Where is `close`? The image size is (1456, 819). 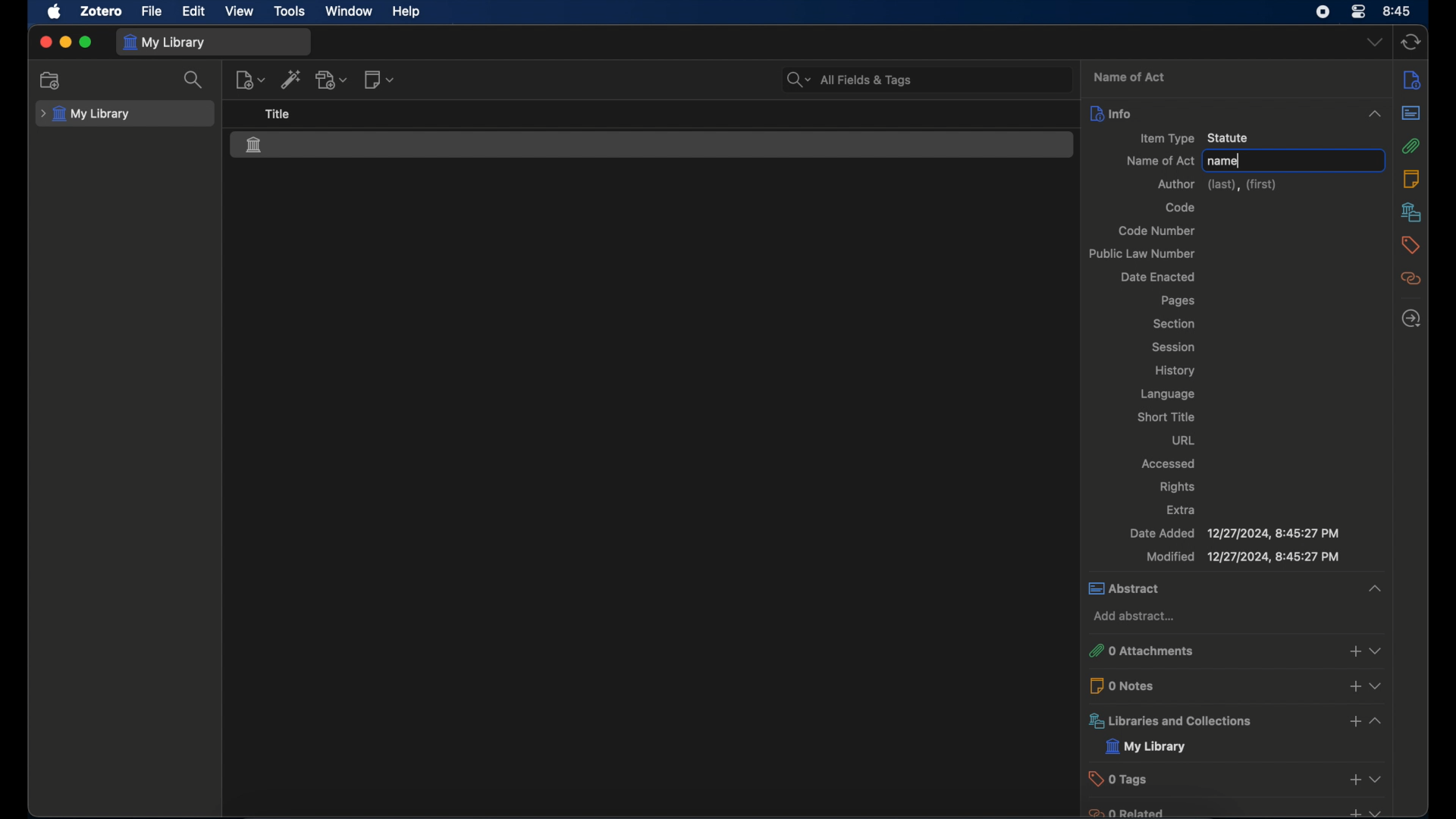
close is located at coordinates (45, 42).